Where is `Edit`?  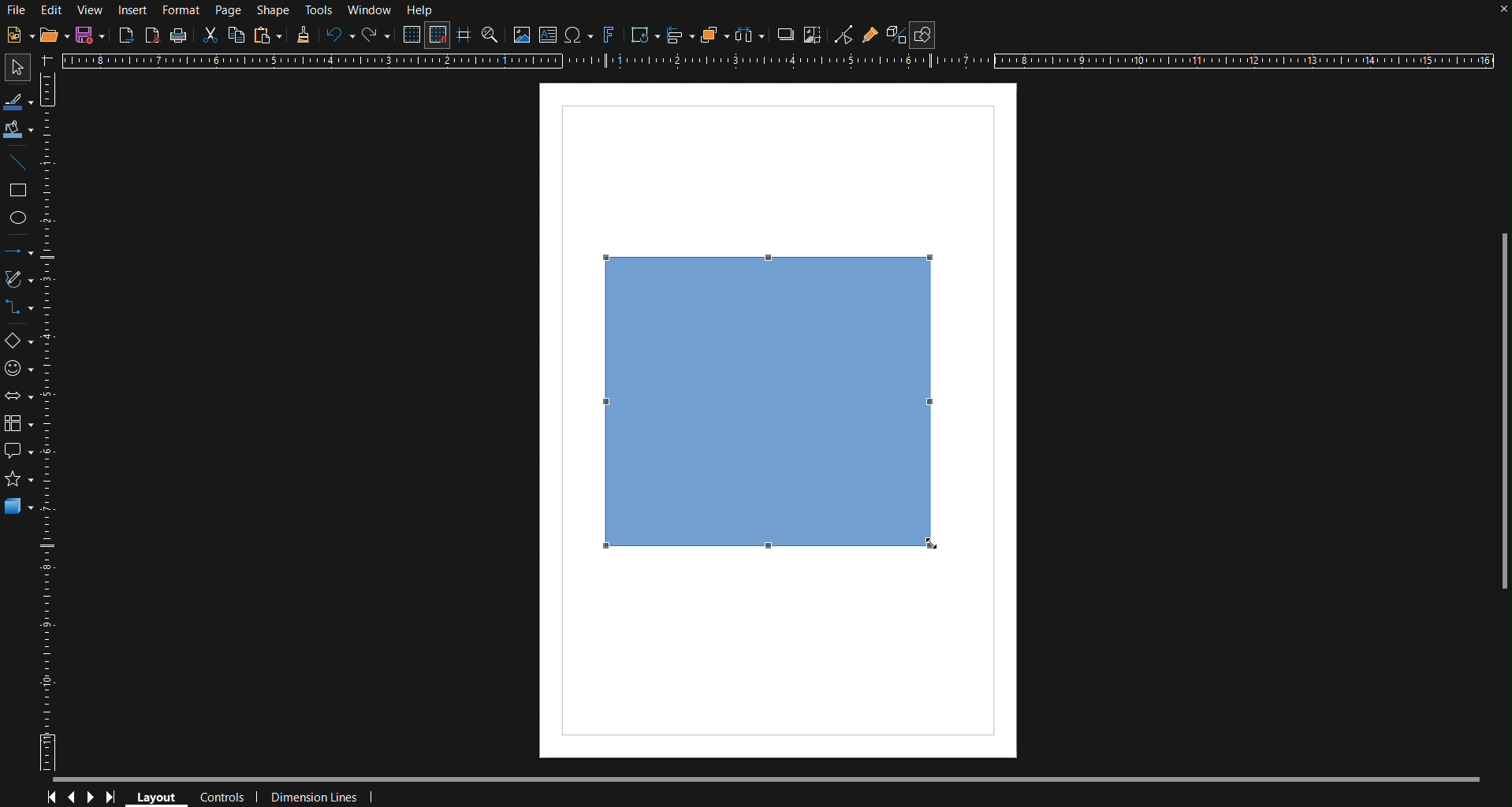 Edit is located at coordinates (51, 11).